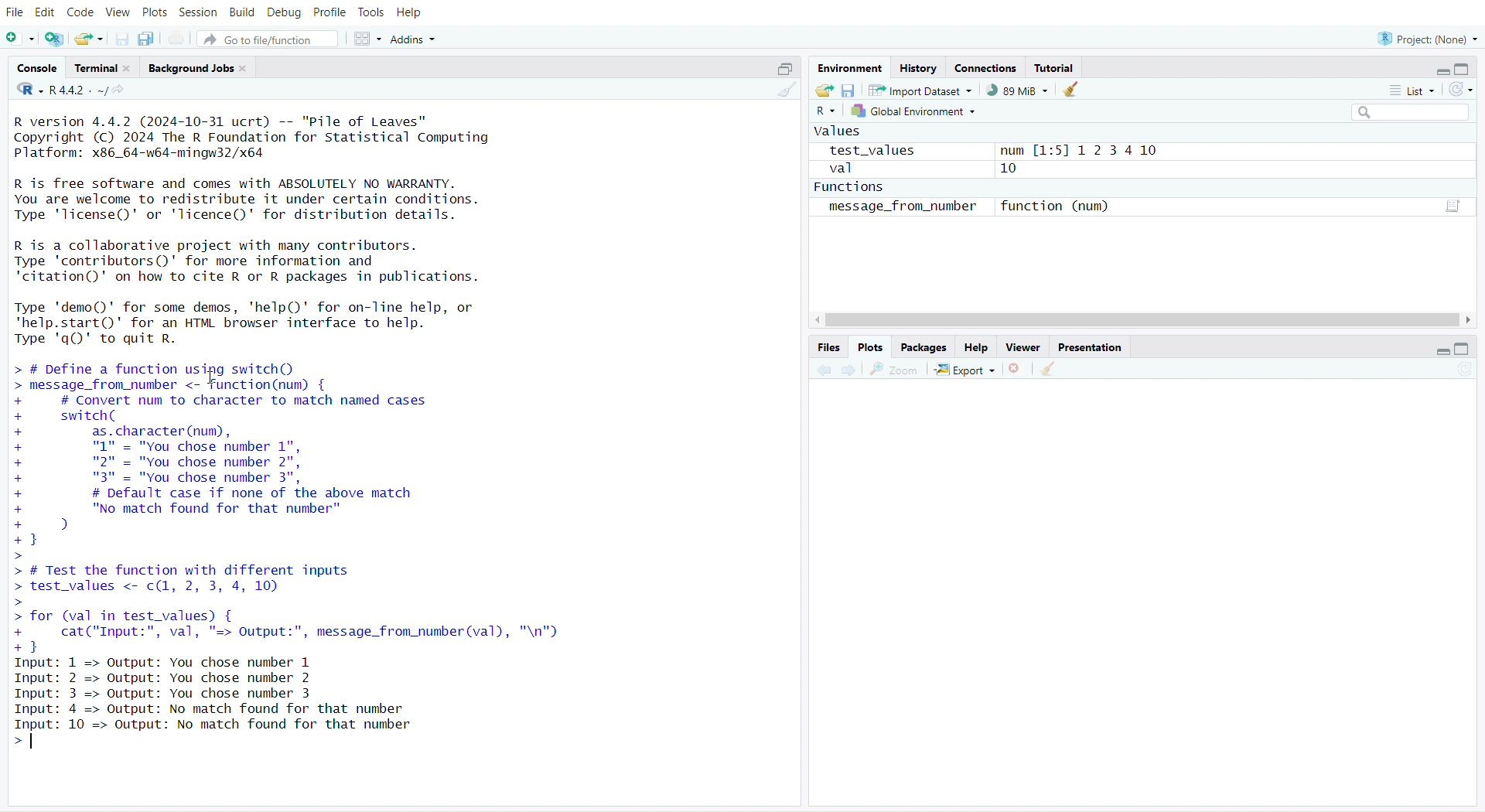 The image size is (1485, 812). I want to click on Maximize, so click(1466, 70).